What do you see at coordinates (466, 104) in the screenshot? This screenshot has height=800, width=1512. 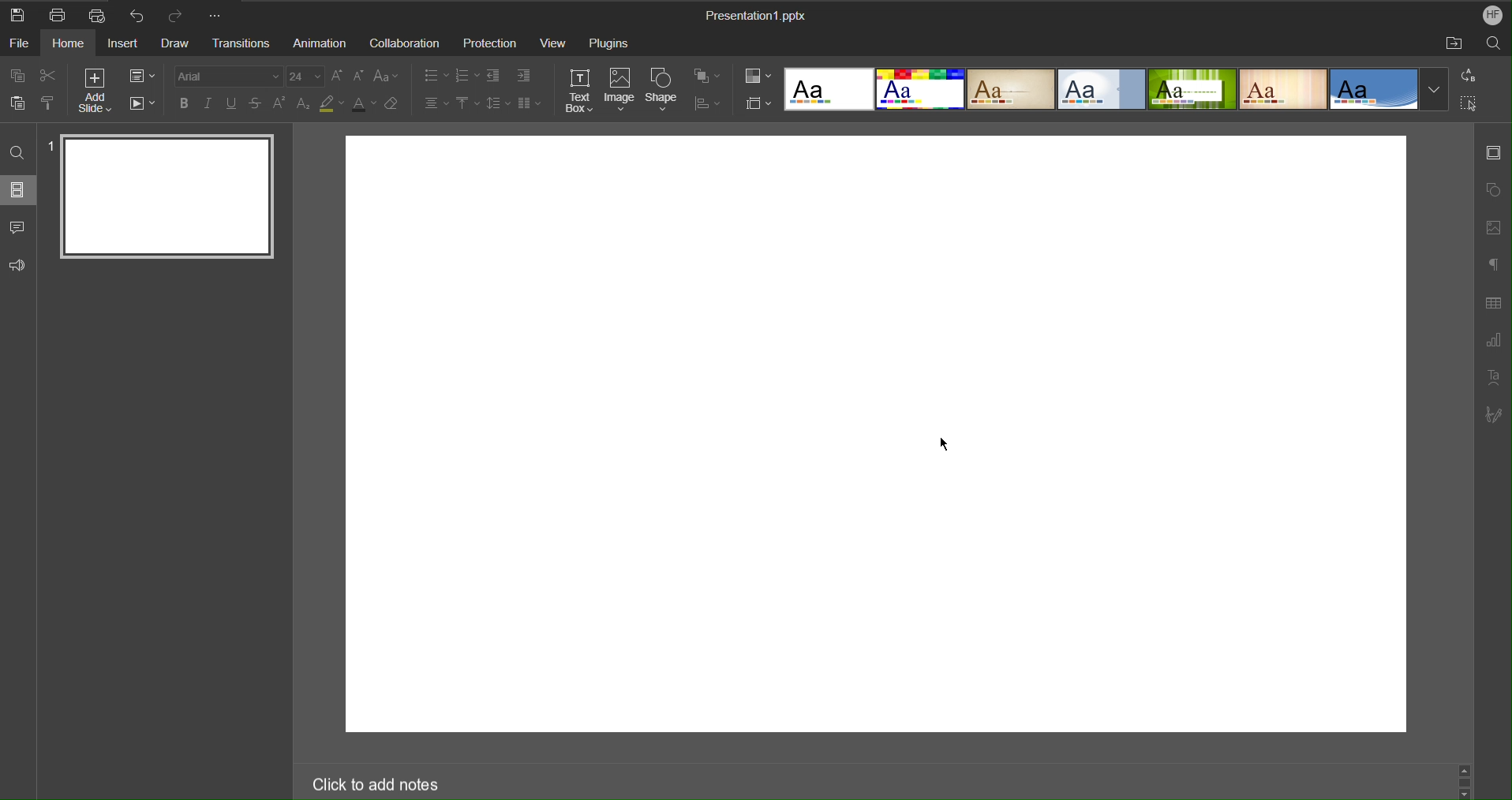 I see `Vertical Align` at bounding box center [466, 104].